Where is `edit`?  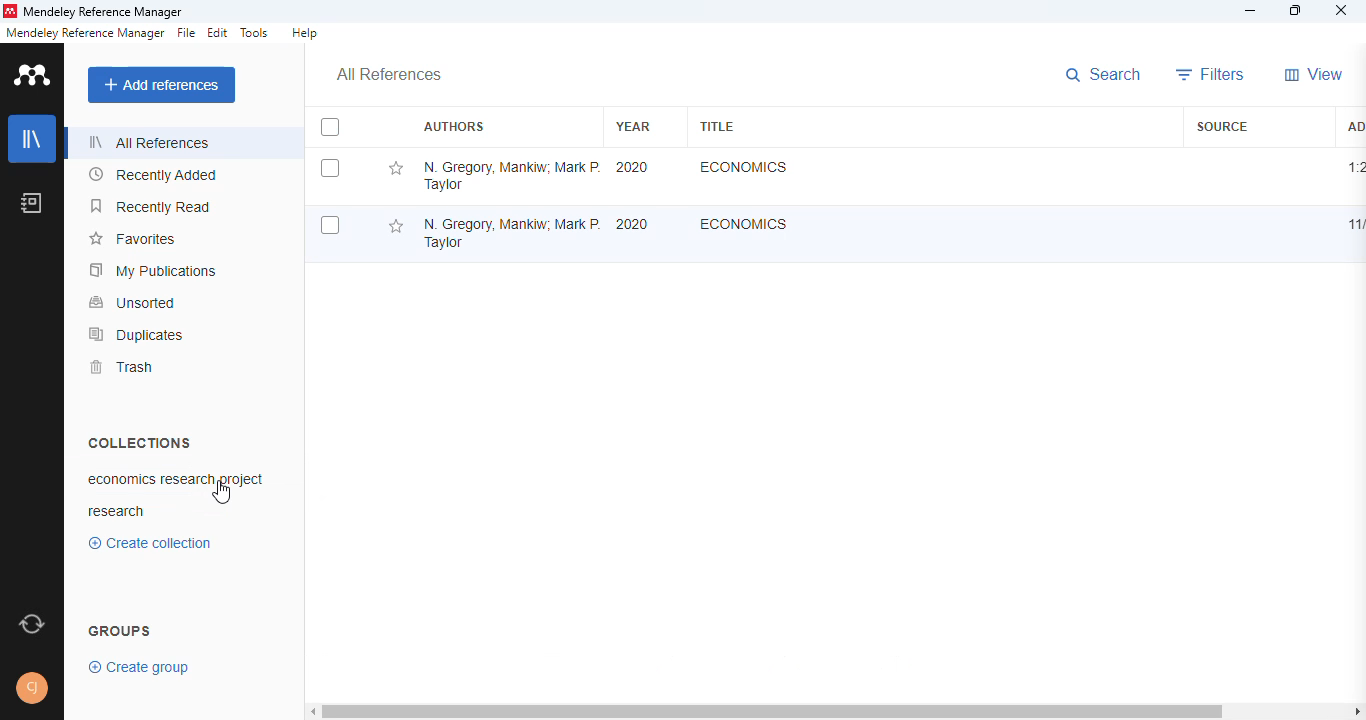 edit is located at coordinates (219, 33).